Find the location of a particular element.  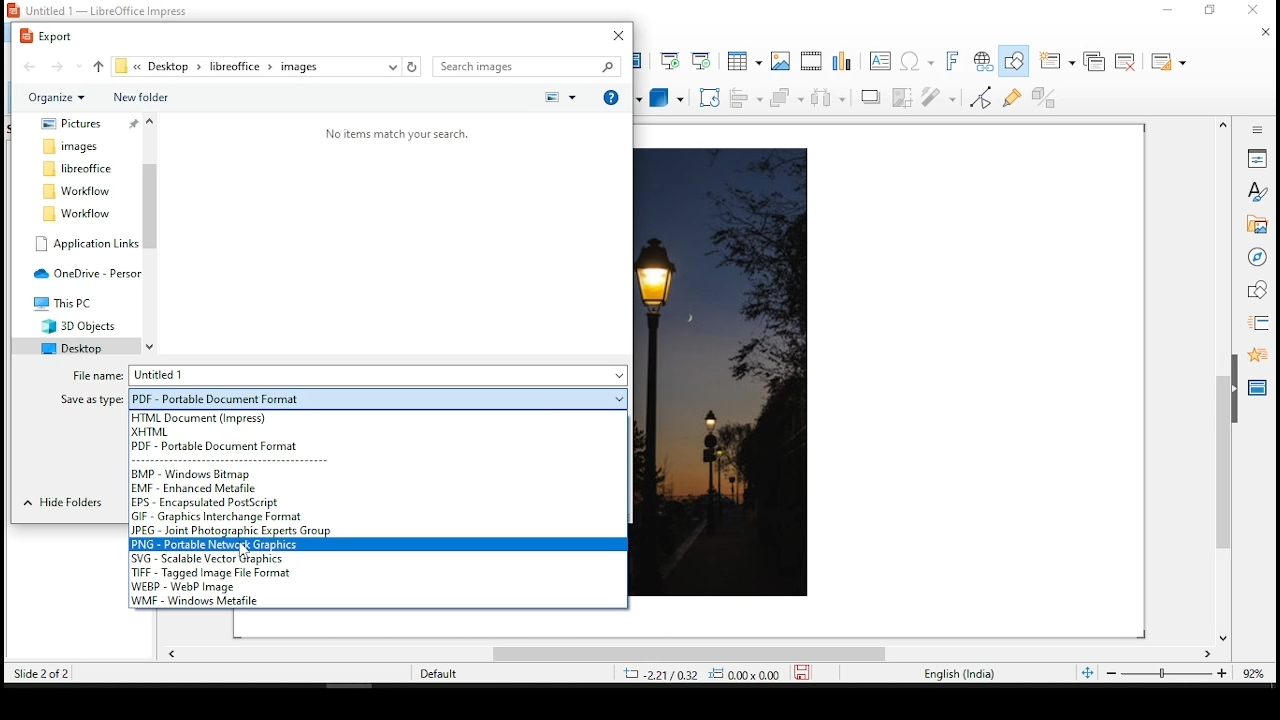

Slide 2 of 2 is located at coordinates (38, 673).